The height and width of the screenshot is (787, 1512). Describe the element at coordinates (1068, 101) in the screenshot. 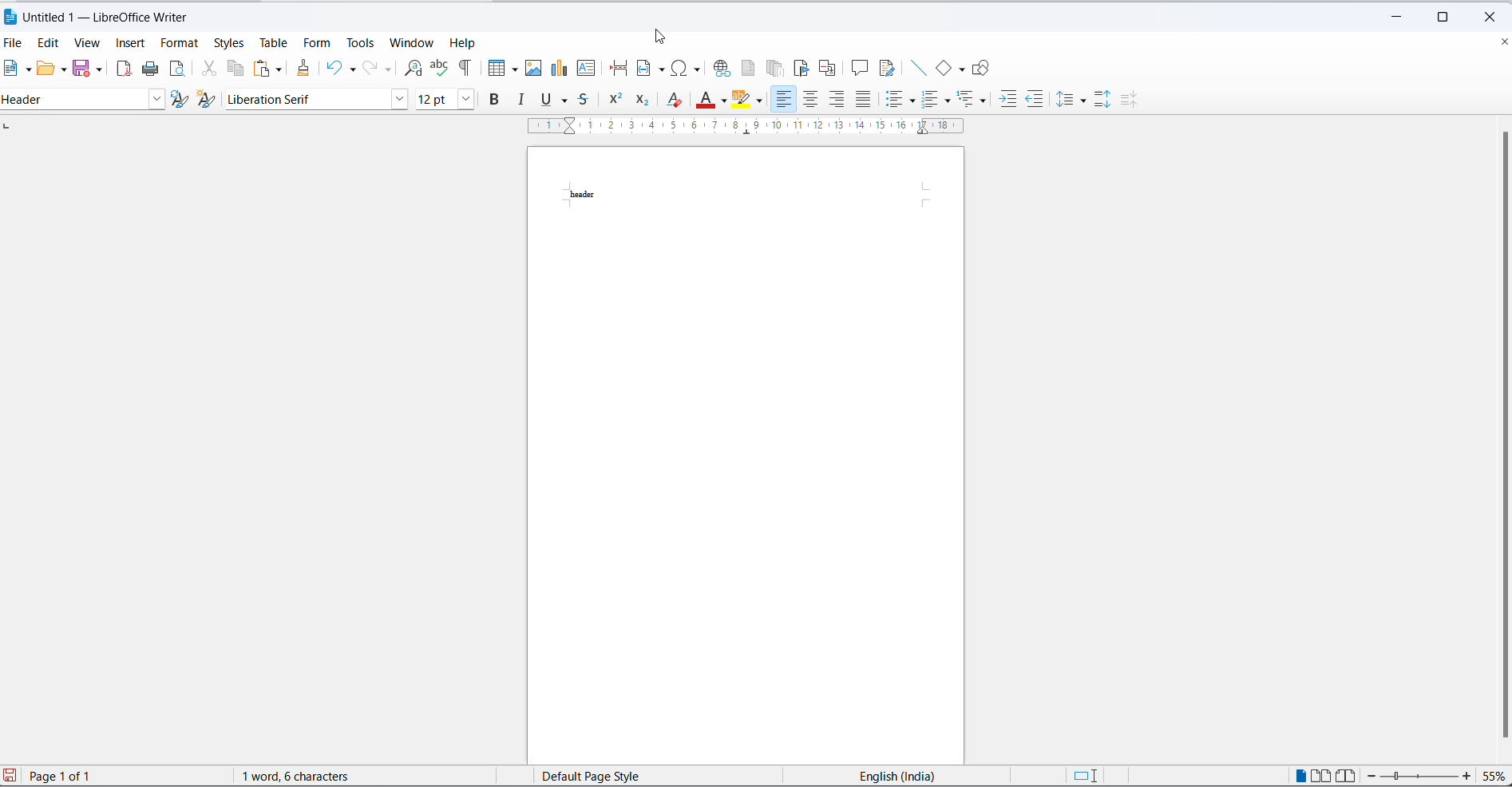

I see `line spacing` at that location.